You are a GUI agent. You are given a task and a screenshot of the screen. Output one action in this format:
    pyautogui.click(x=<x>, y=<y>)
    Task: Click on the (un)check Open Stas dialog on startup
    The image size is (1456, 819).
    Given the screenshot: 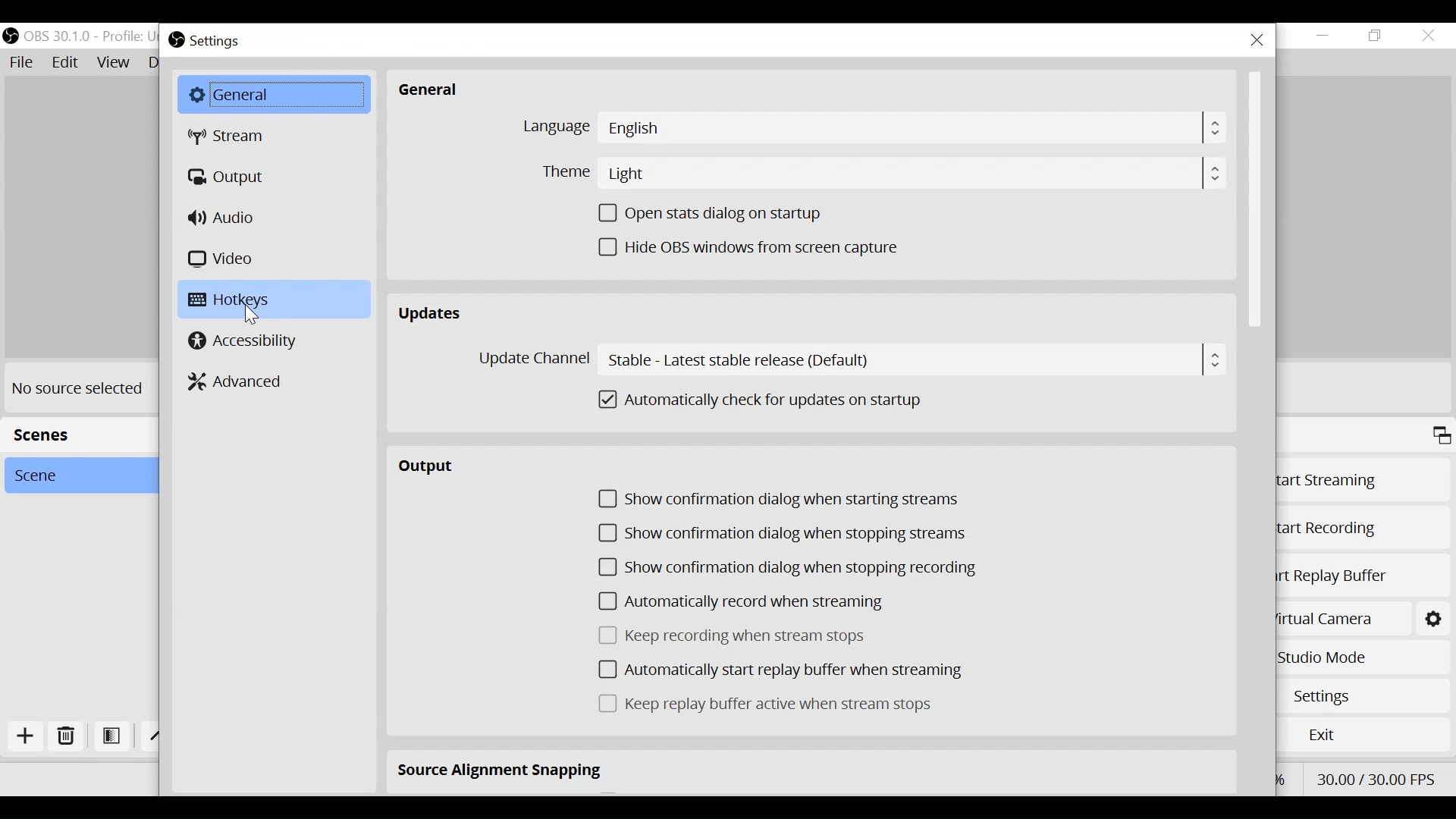 What is the action you would take?
    pyautogui.click(x=718, y=213)
    